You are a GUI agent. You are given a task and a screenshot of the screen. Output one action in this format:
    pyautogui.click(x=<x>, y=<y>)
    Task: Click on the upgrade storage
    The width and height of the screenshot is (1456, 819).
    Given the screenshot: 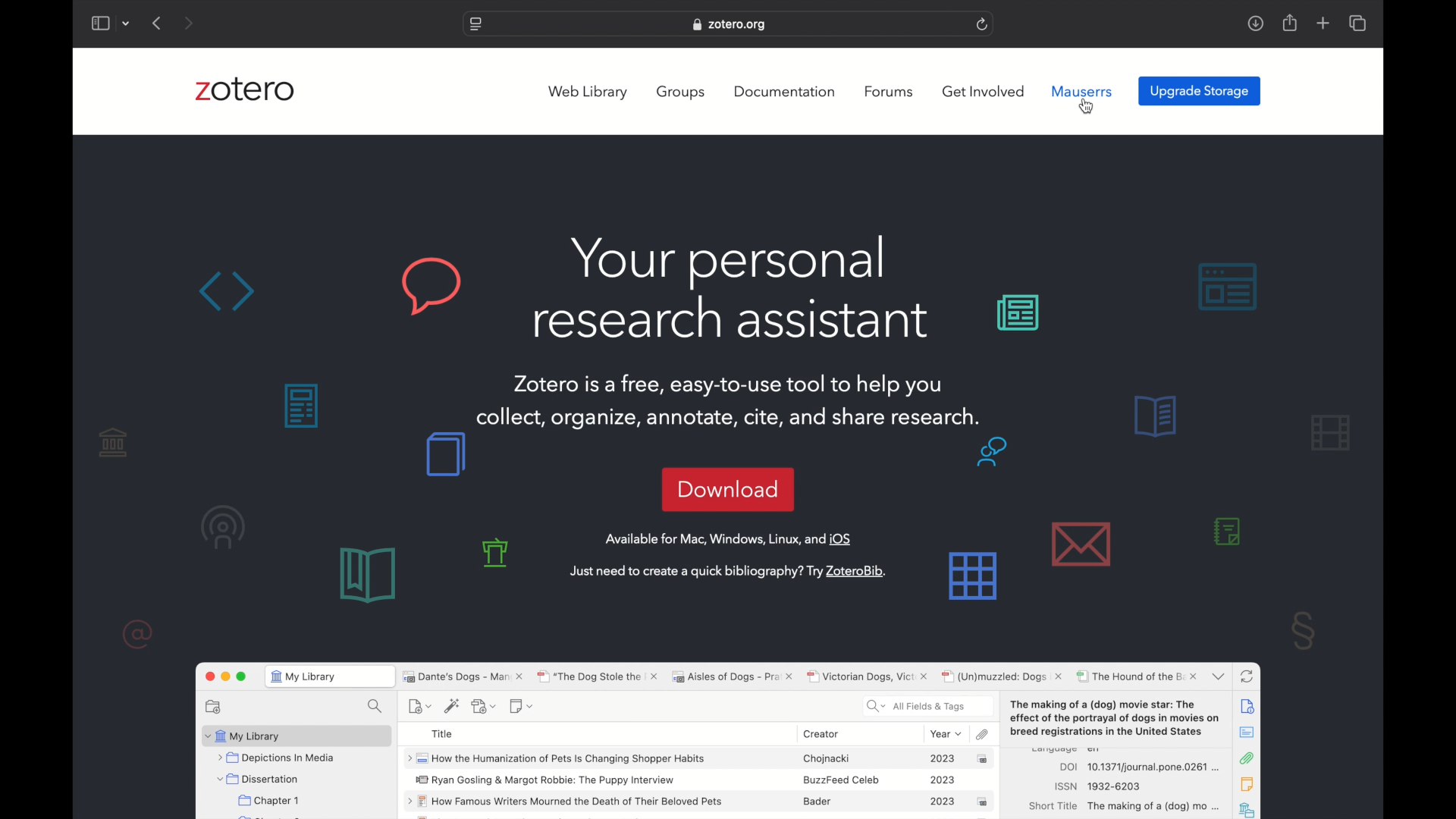 What is the action you would take?
    pyautogui.click(x=1202, y=92)
    